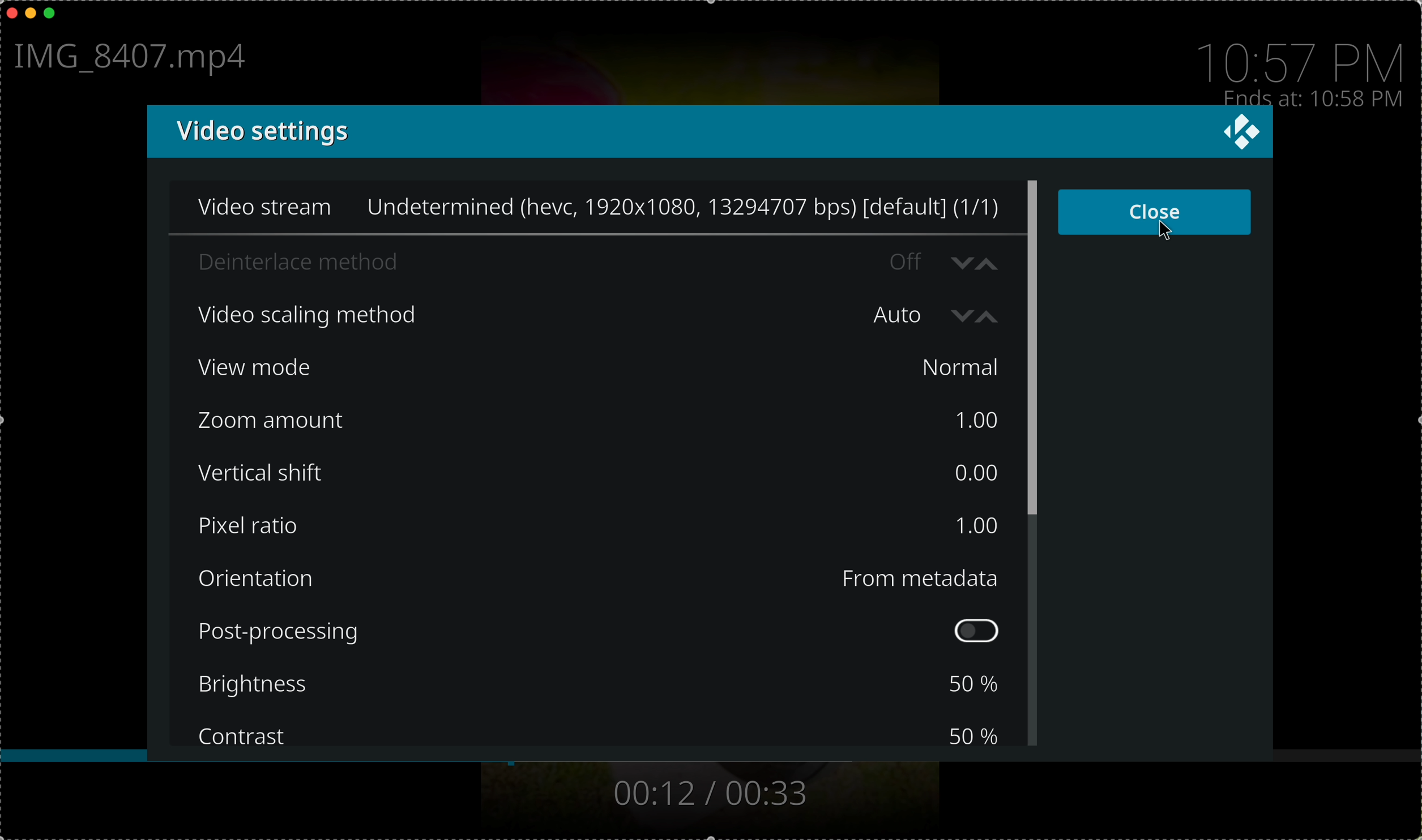 Image resolution: width=1422 pixels, height=840 pixels. I want to click on decrease value, so click(963, 314).